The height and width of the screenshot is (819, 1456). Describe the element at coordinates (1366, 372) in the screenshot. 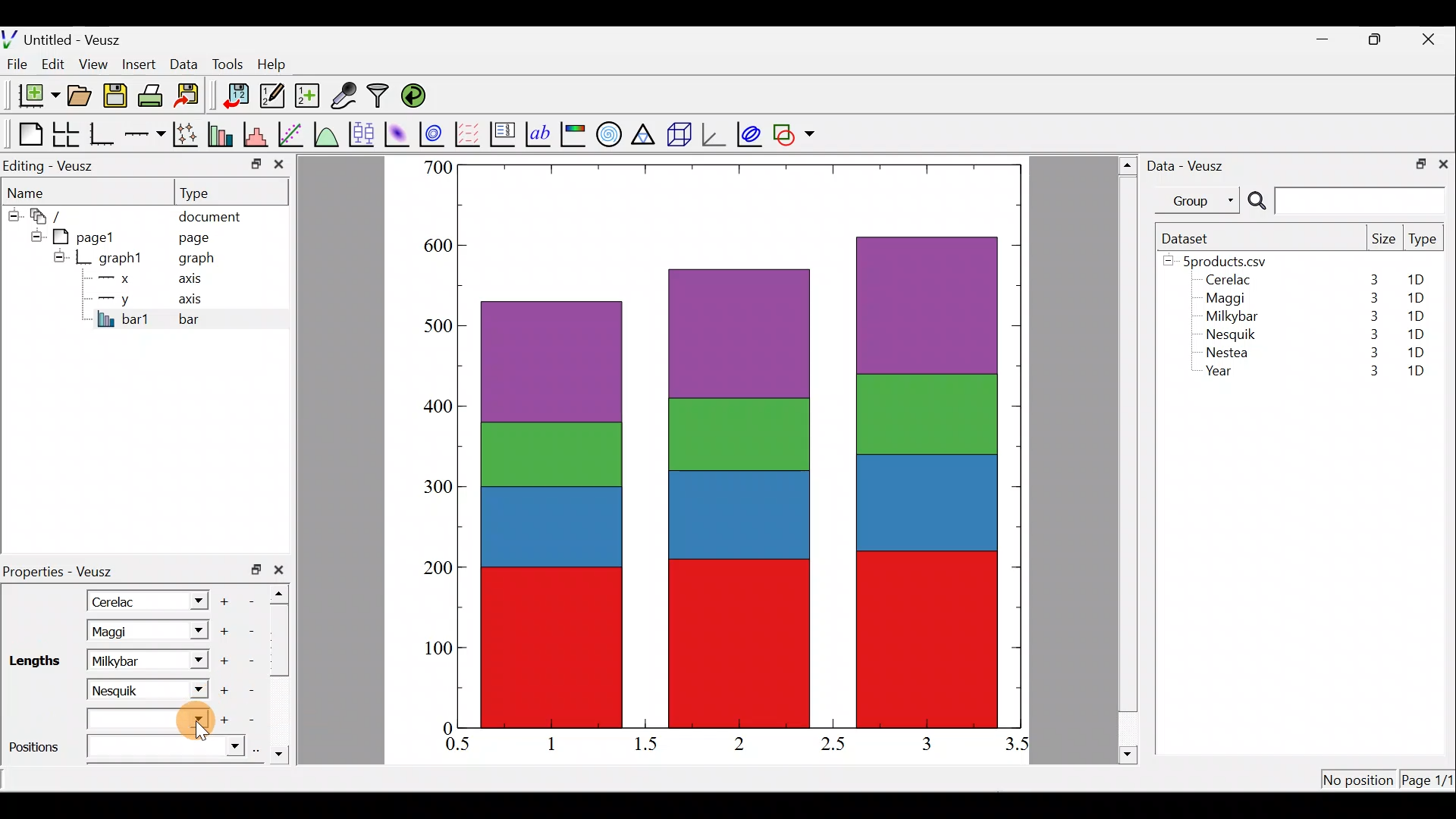

I see `3` at that location.